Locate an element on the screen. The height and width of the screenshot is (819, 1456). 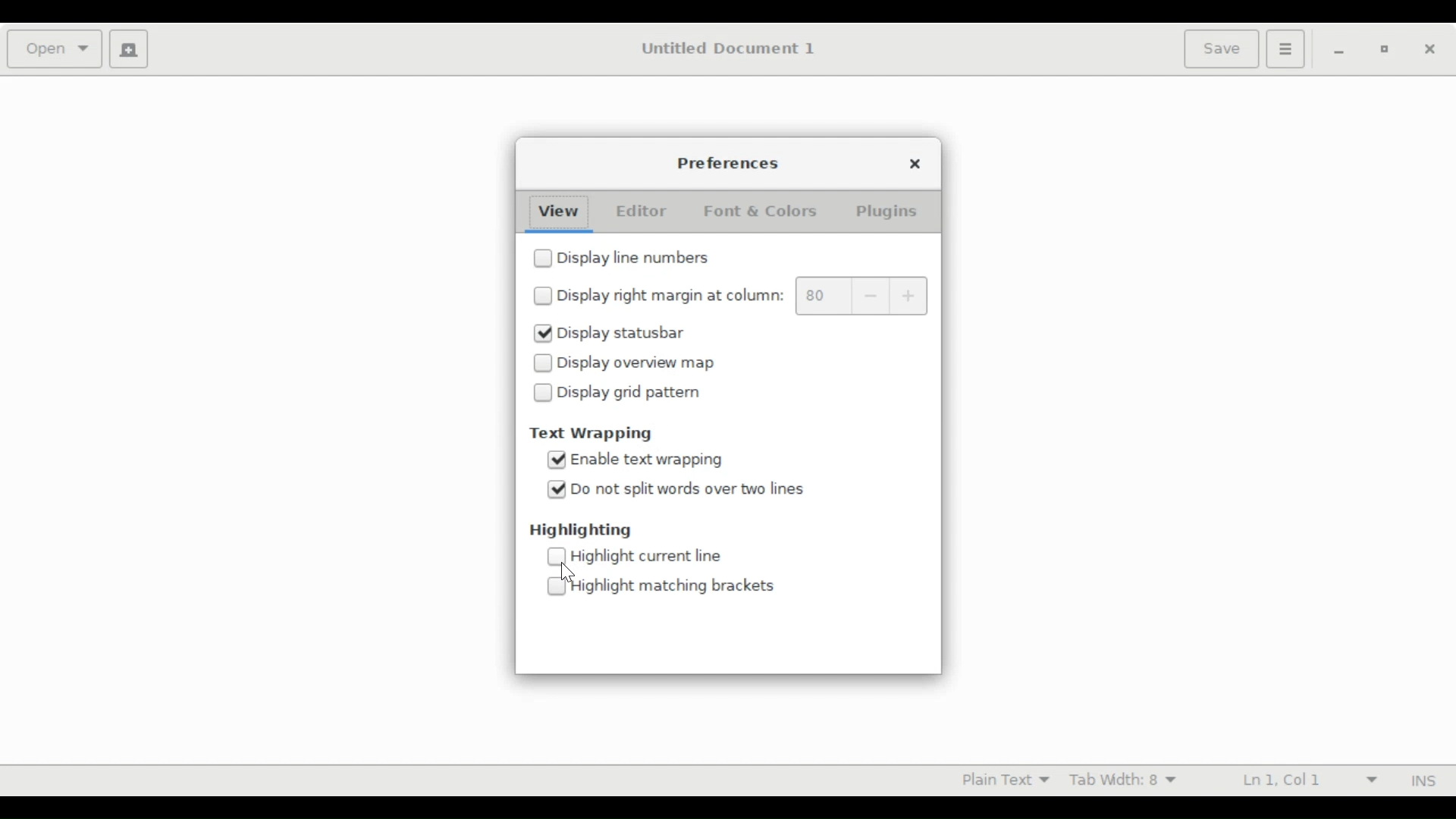
increase is located at coordinates (908, 297).